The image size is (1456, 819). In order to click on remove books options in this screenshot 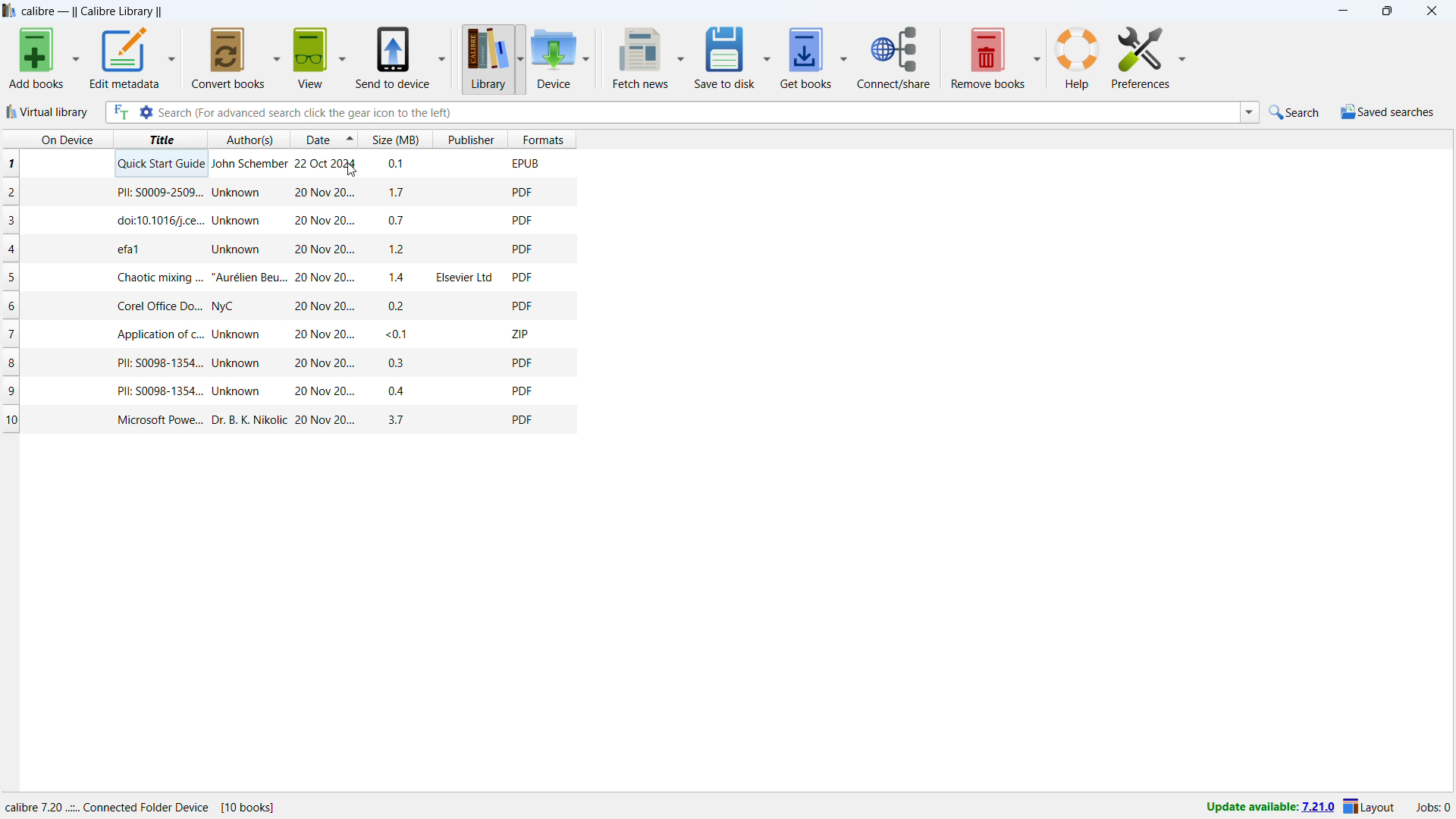, I will do `click(1038, 56)`.